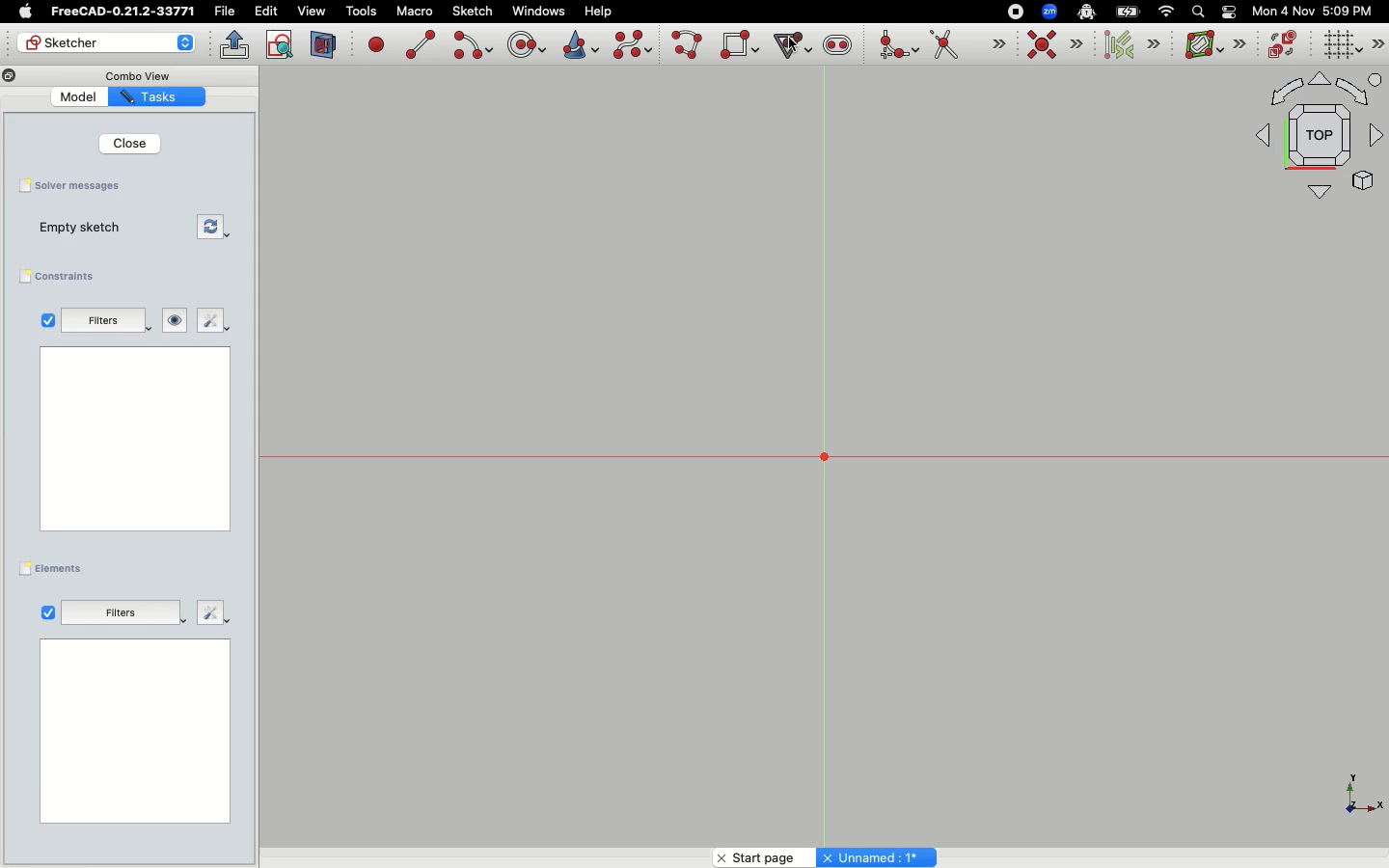 This screenshot has width=1389, height=868. What do you see at coordinates (793, 45) in the screenshot?
I see `Cursor` at bounding box center [793, 45].